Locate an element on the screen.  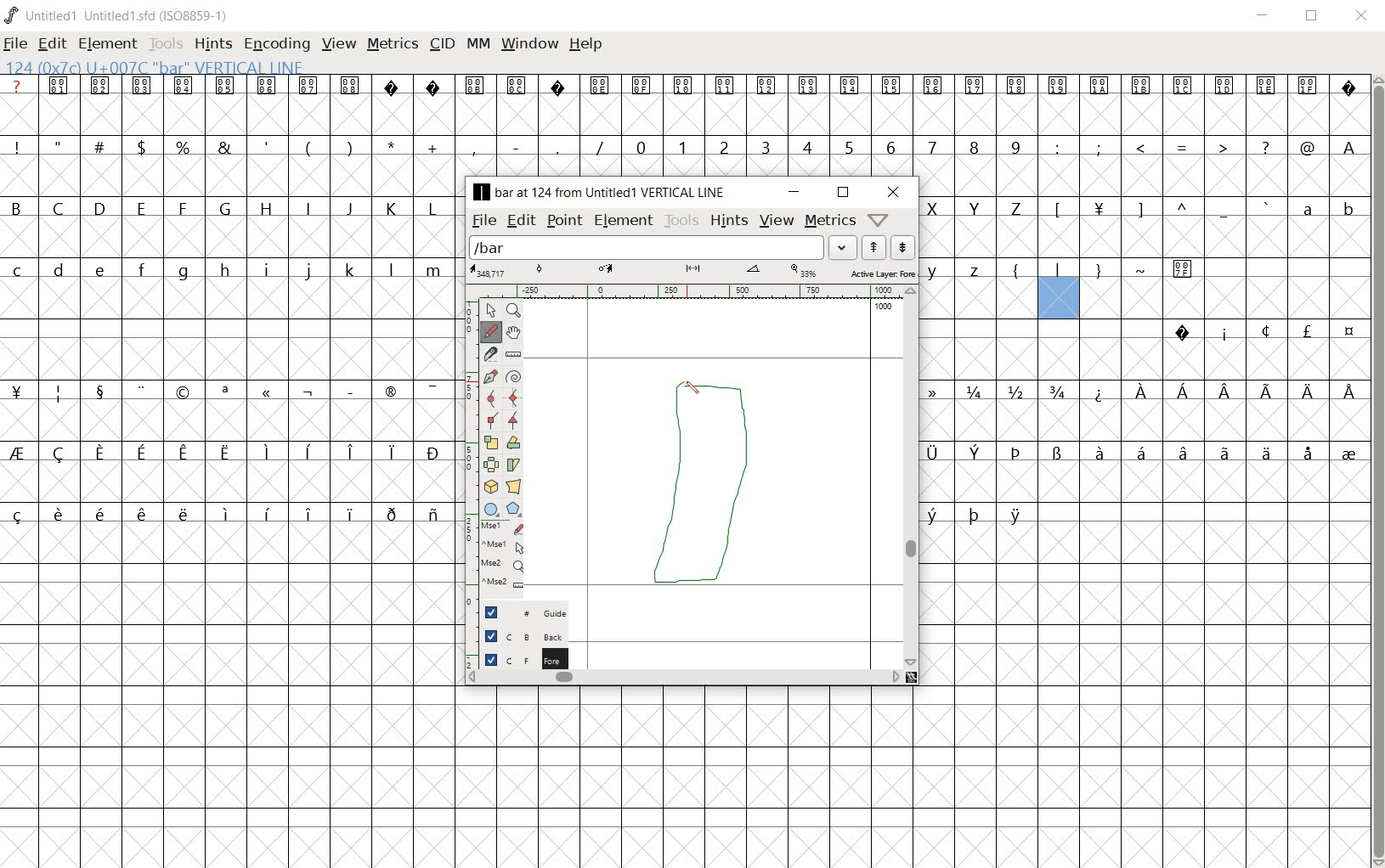
mse1 is located at coordinates (499, 526).